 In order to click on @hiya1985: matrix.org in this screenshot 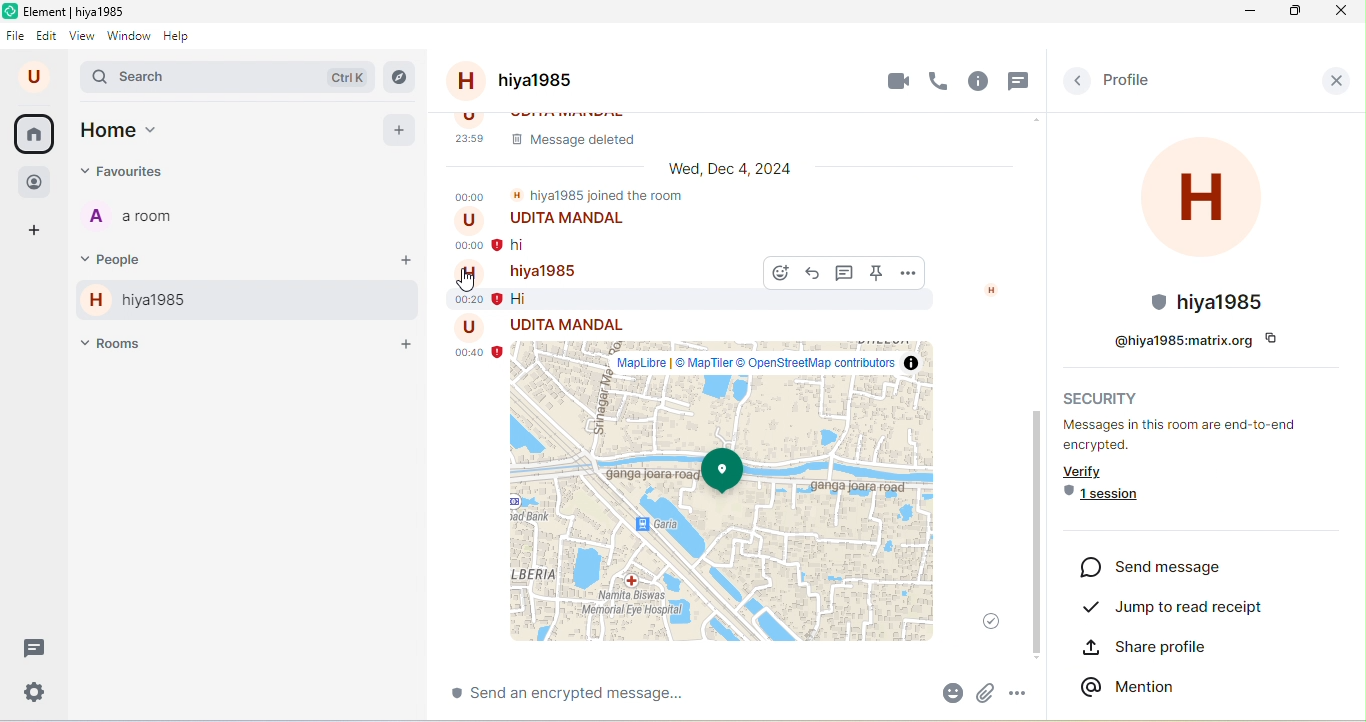, I will do `click(1172, 341)`.